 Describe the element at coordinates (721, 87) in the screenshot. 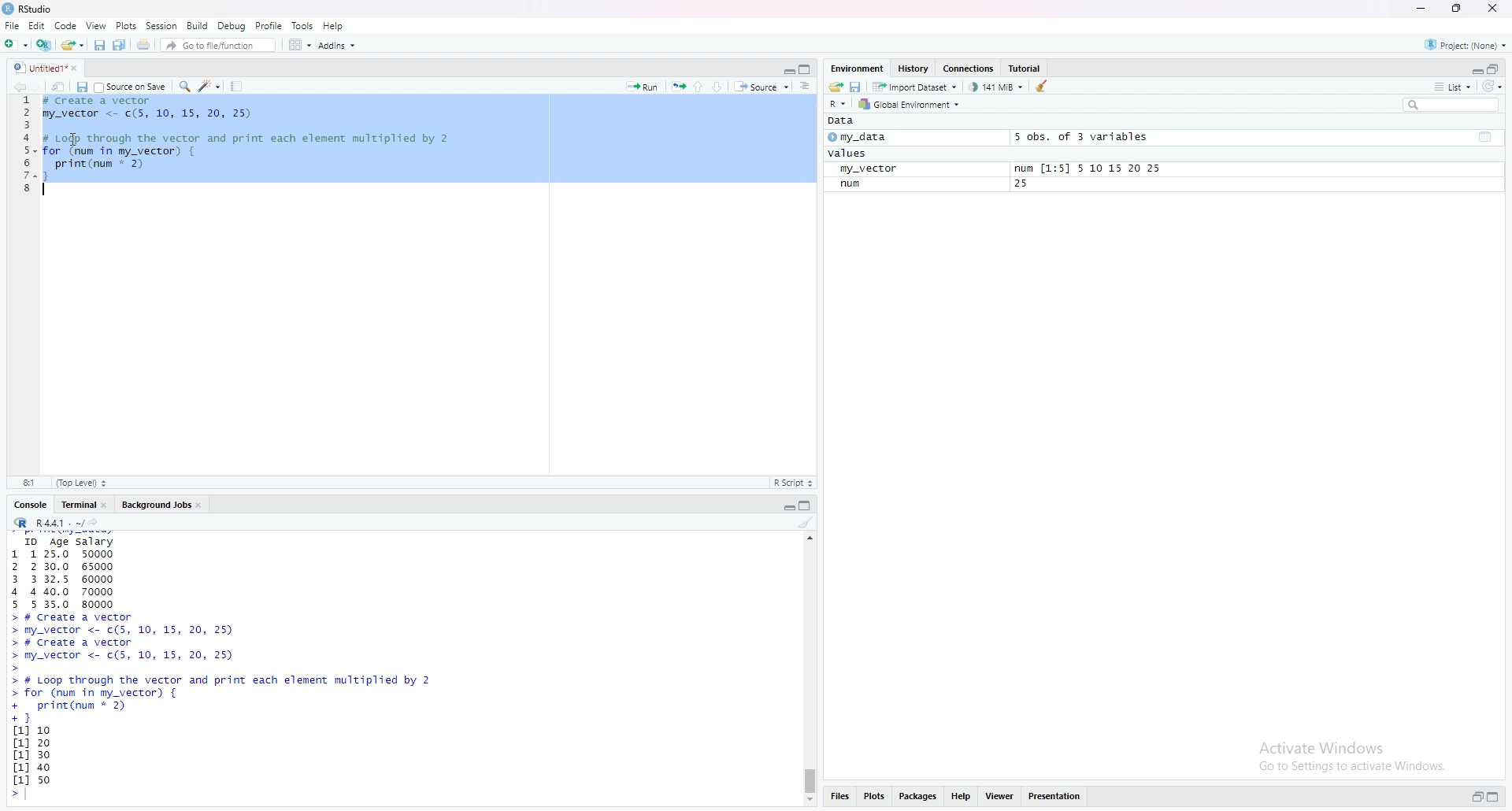

I see `go to next section` at that location.